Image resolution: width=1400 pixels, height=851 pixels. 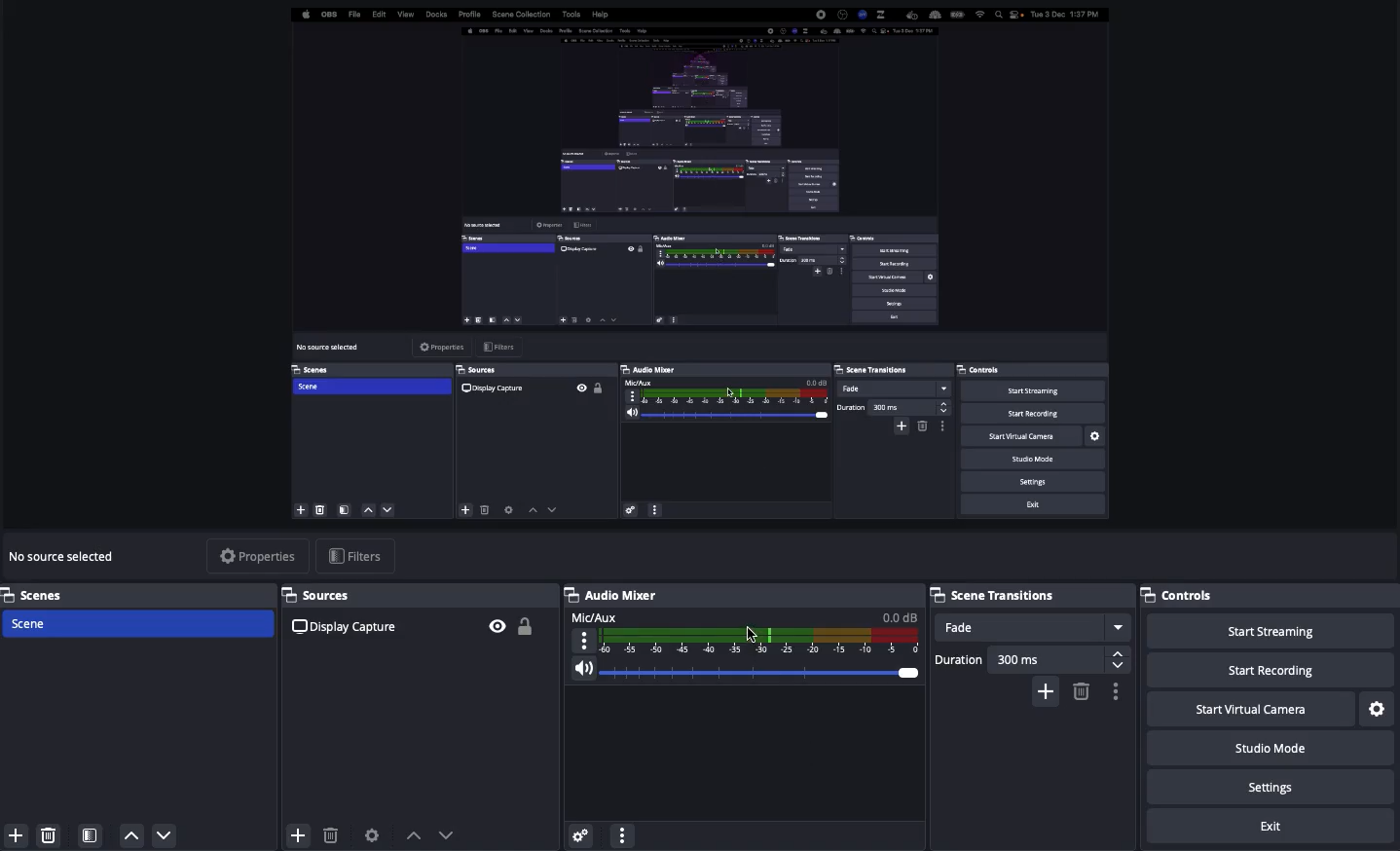 I want to click on Studio mode, so click(x=1268, y=752).